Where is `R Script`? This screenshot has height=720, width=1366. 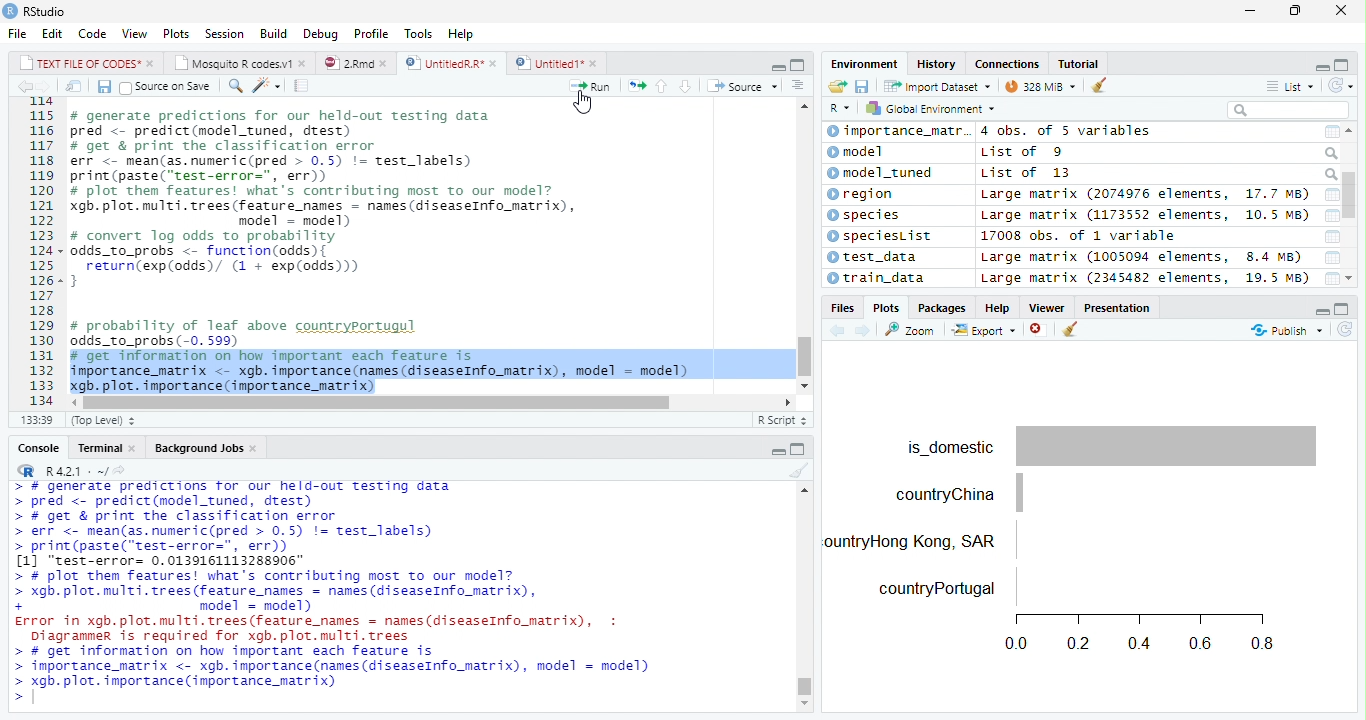
R Script is located at coordinates (783, 418).